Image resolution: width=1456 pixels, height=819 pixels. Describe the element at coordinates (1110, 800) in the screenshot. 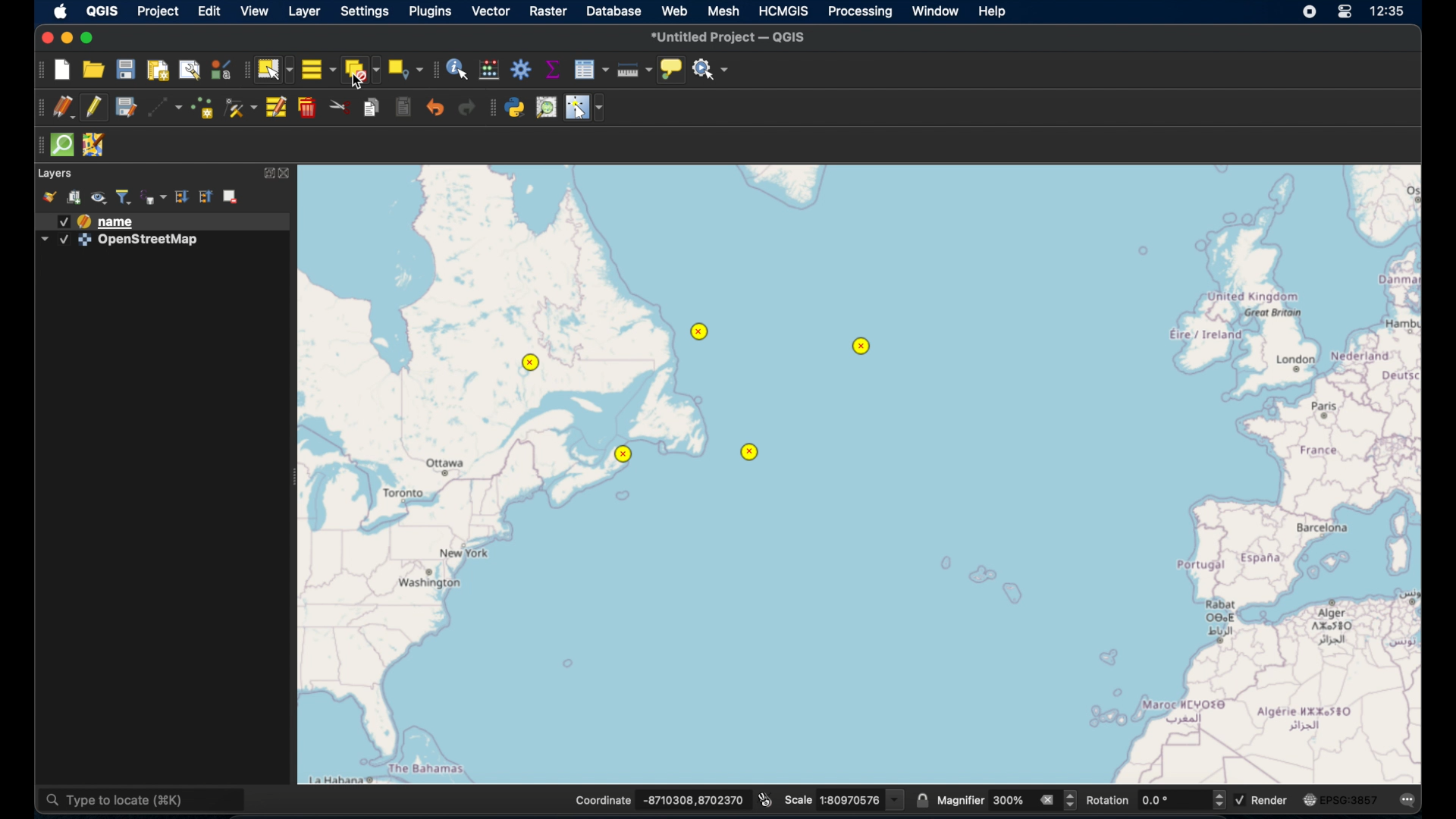

I see `rotation` at that location.